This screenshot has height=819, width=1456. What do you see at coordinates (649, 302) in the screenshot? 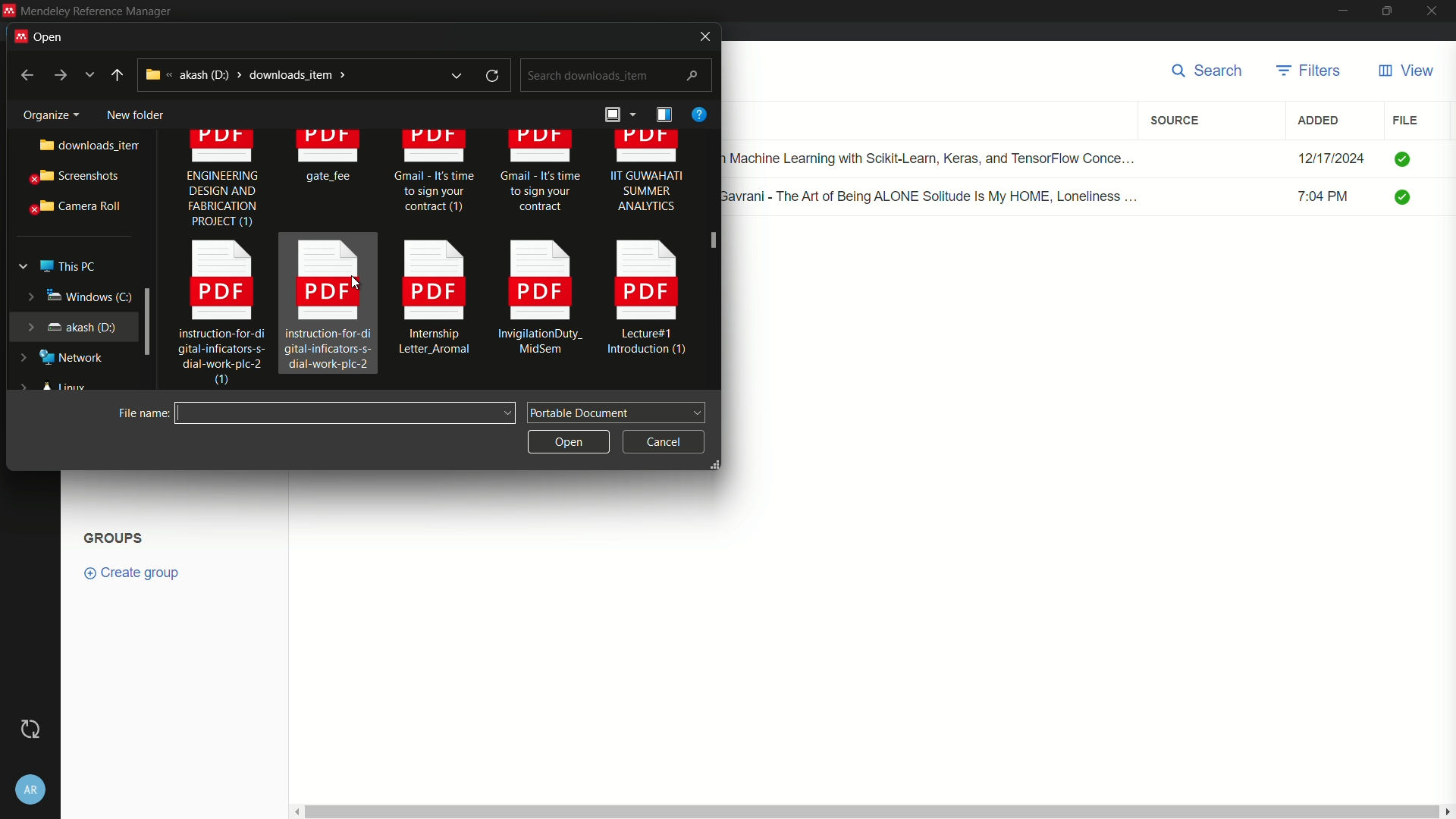
I see `Lecture#1
Introduction (1)` at bounding box center [649, 302].